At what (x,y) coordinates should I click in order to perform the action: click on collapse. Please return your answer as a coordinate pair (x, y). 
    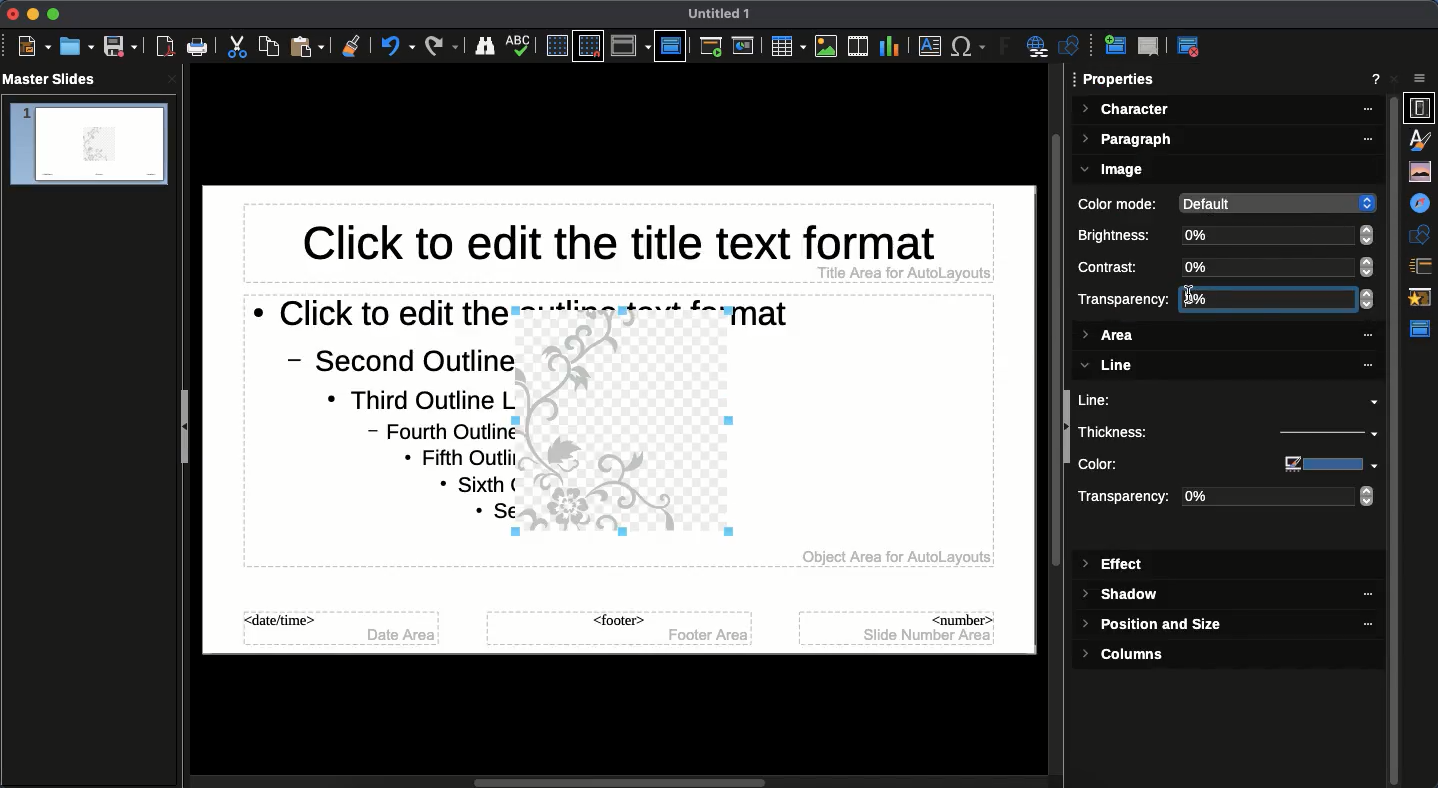
    Looking at the image, I should click on (1067, 429).